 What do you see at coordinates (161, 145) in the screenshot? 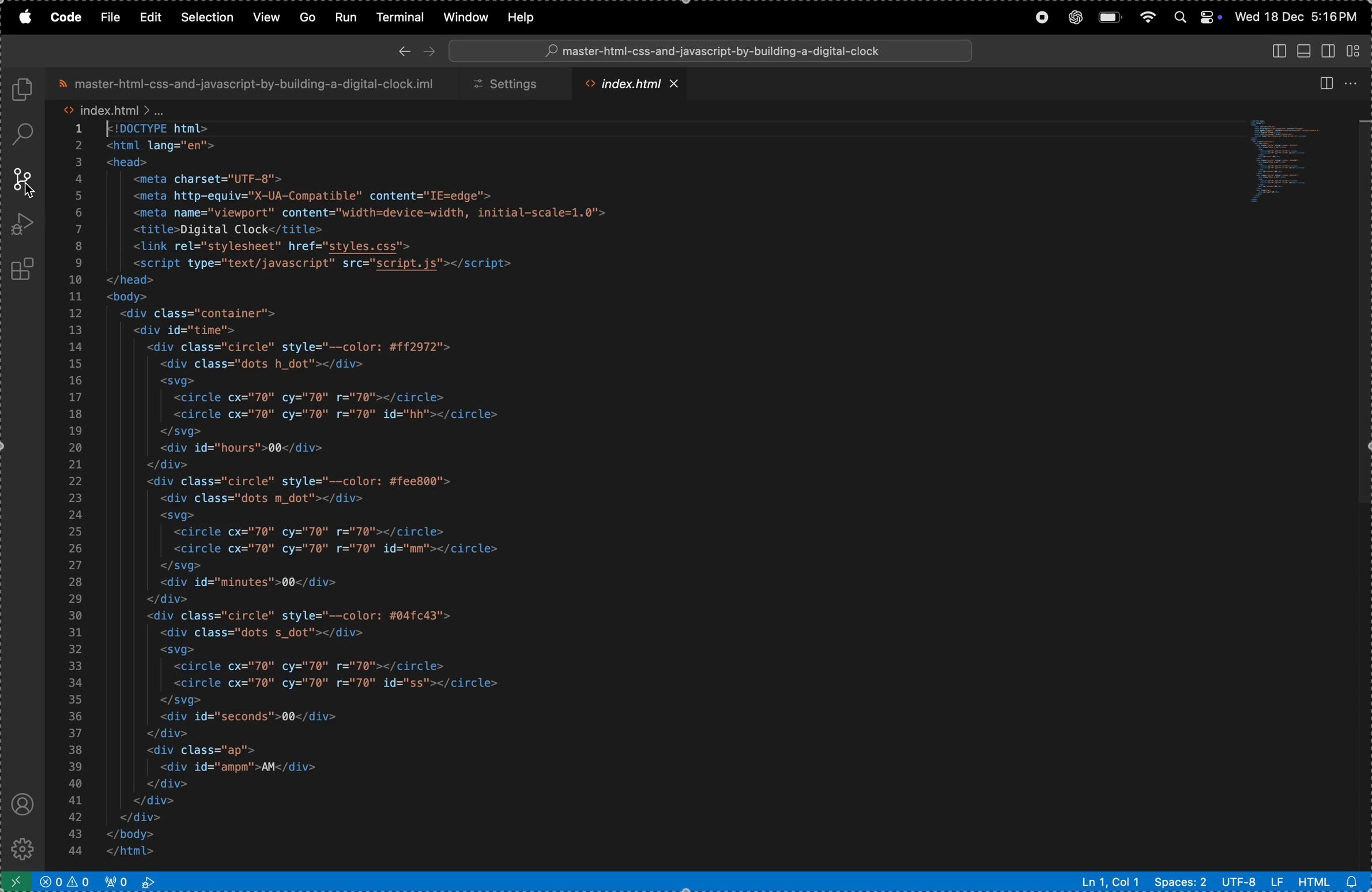
I see `<html lang="en">` at bounding box center [161, 145].